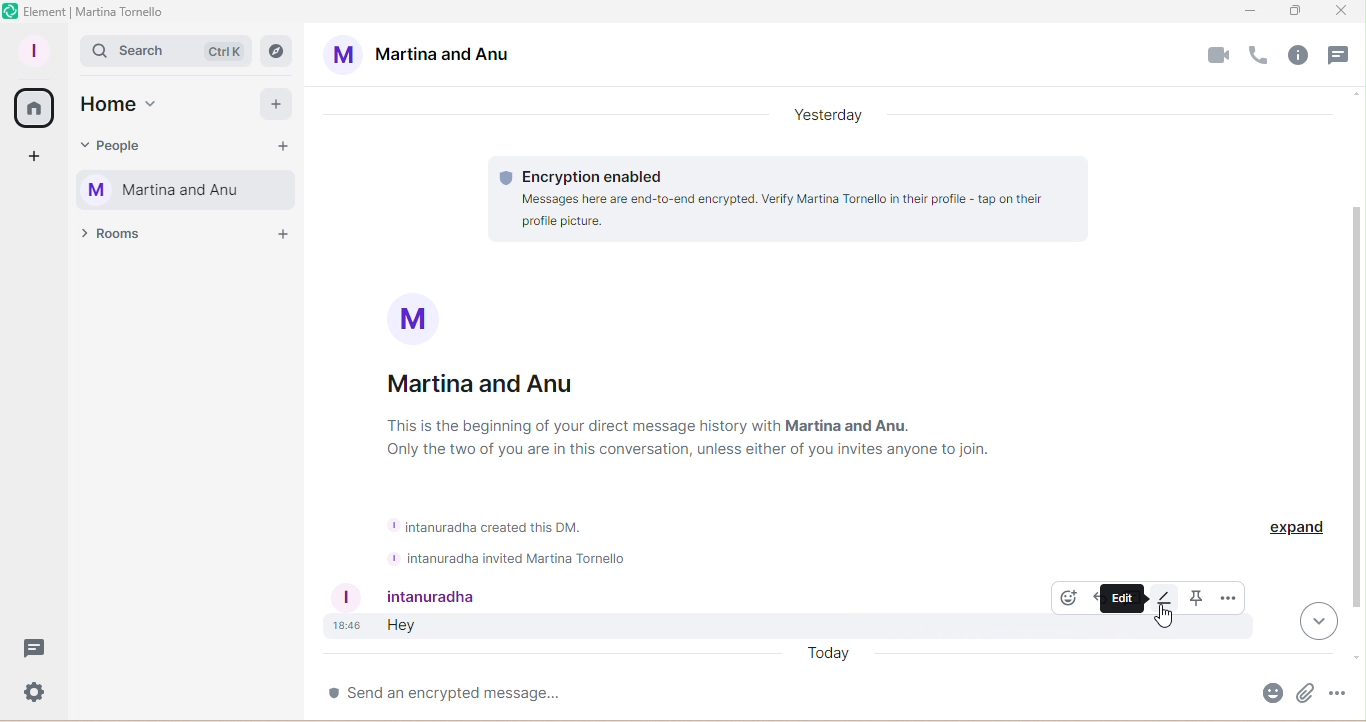 The image size is (1366, 722). What do you see at coordinates (1192, 598) in the screenshot?
I see `Pin` at bounding box center [1192, 598].